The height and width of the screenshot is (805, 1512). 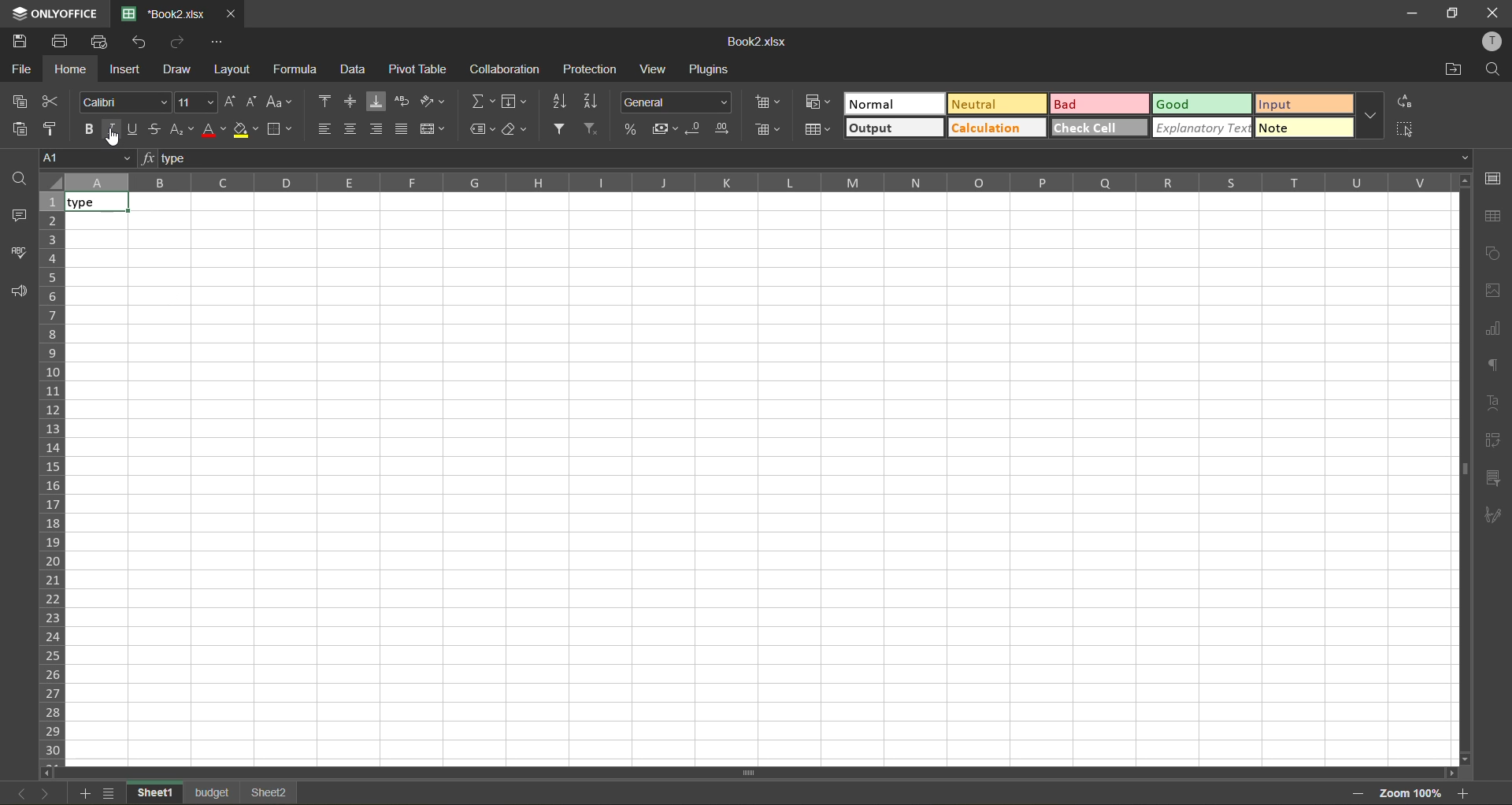 What do you see at coordinates (595, 127) in the screenshot?
I see `clear filter` at bounding box center [595, 127].